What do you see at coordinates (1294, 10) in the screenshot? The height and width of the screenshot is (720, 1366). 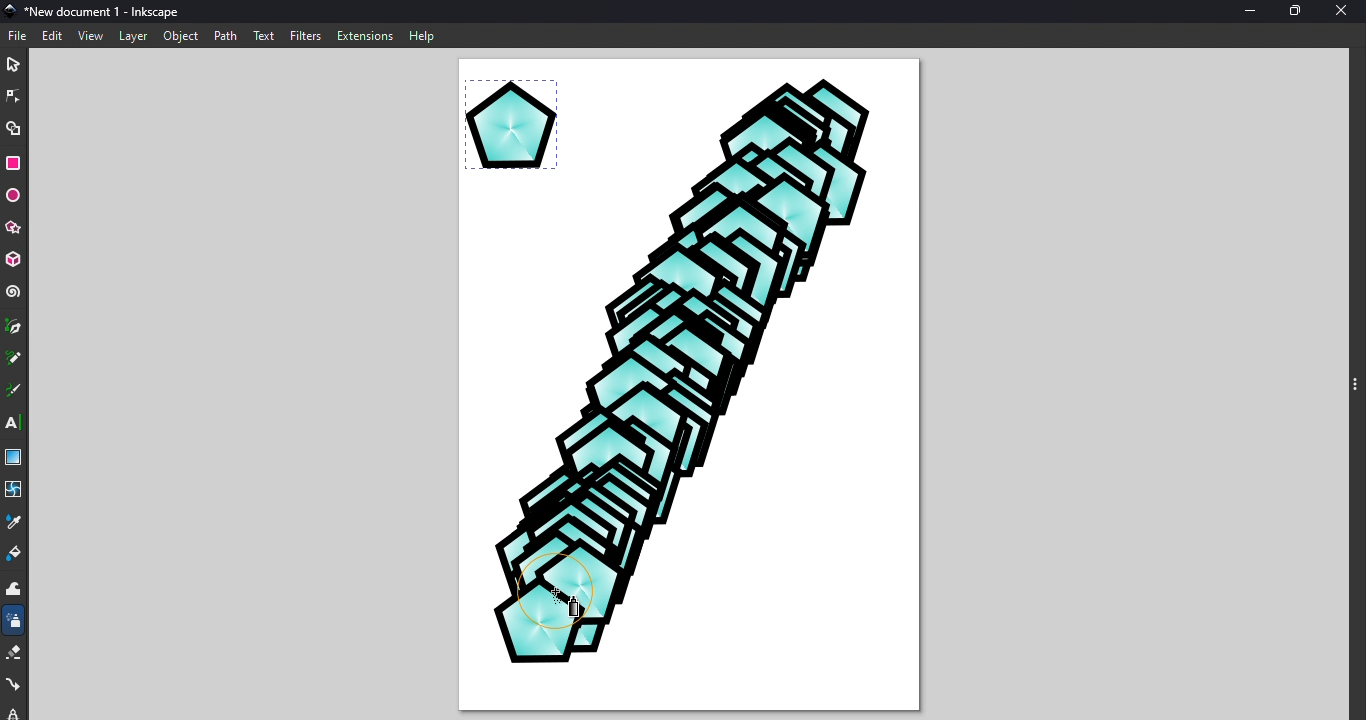 I see `Maximize` at bounding box center [1294, 10].